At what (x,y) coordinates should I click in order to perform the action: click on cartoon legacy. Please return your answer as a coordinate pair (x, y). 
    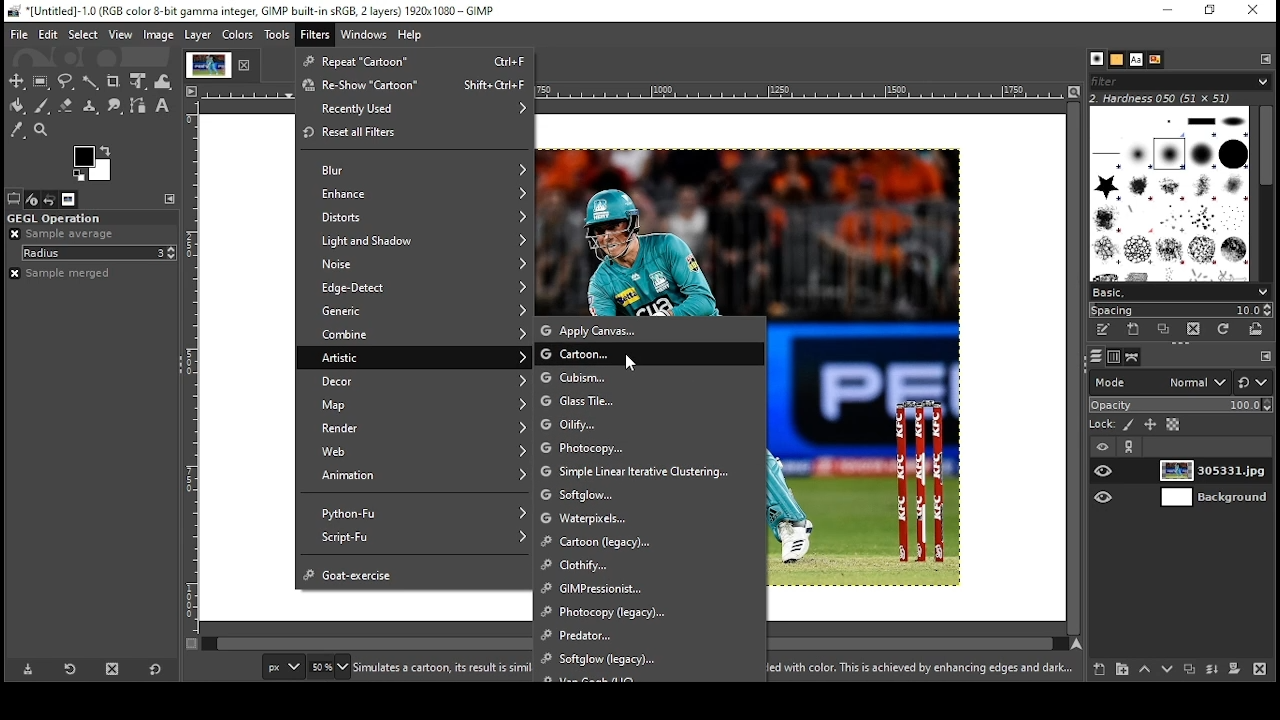
    Looking at the image, I should click on (650, 543).